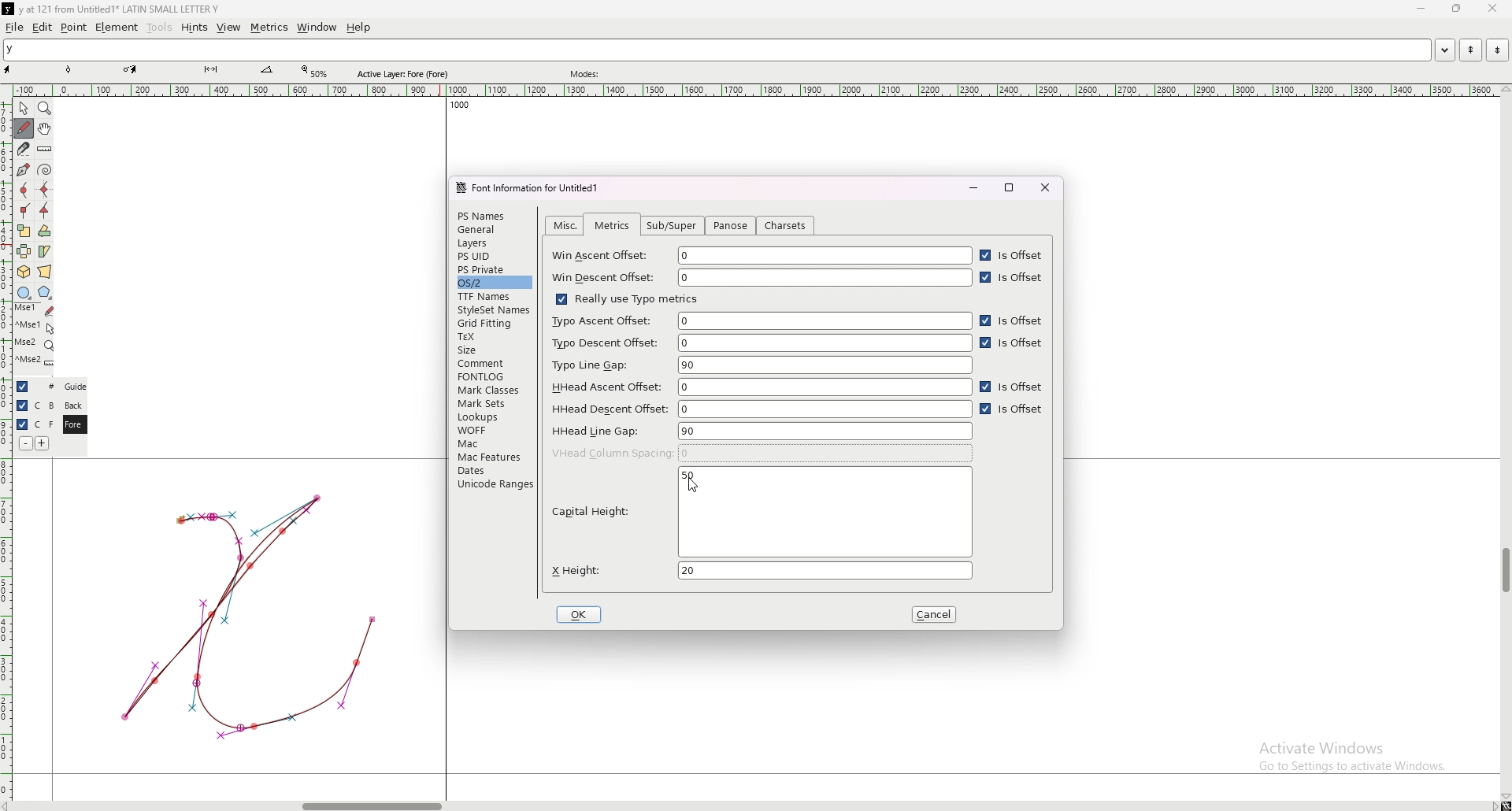 The width and height of the screenshot is (1512, 811). Describe the element at coordinates (1013, 256) in the screenshot. I see `is offset` at that location.